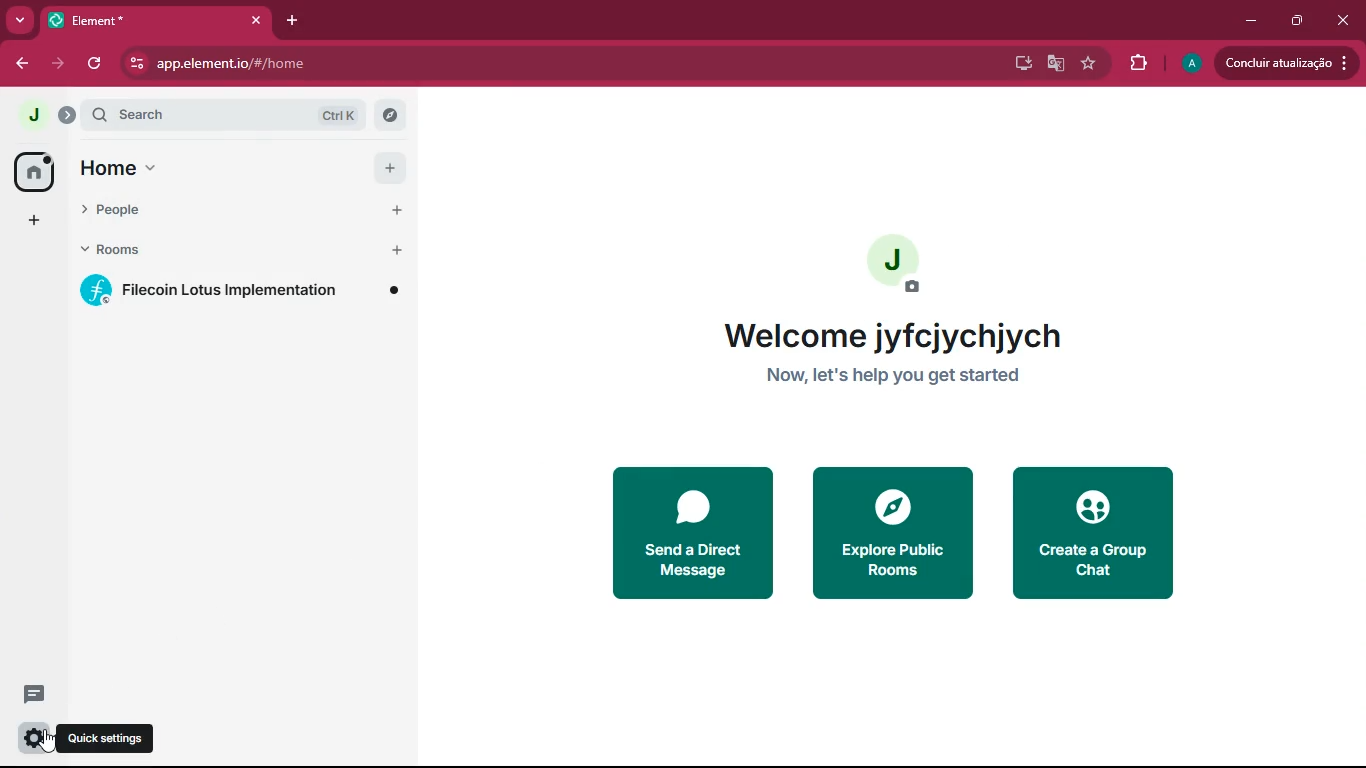 Image resolution: width=1366 pixels, height=768 pixels. What do you see at coordinates (25, 64) in the screenshot?
I see `back` at bounding box center [25, 64].